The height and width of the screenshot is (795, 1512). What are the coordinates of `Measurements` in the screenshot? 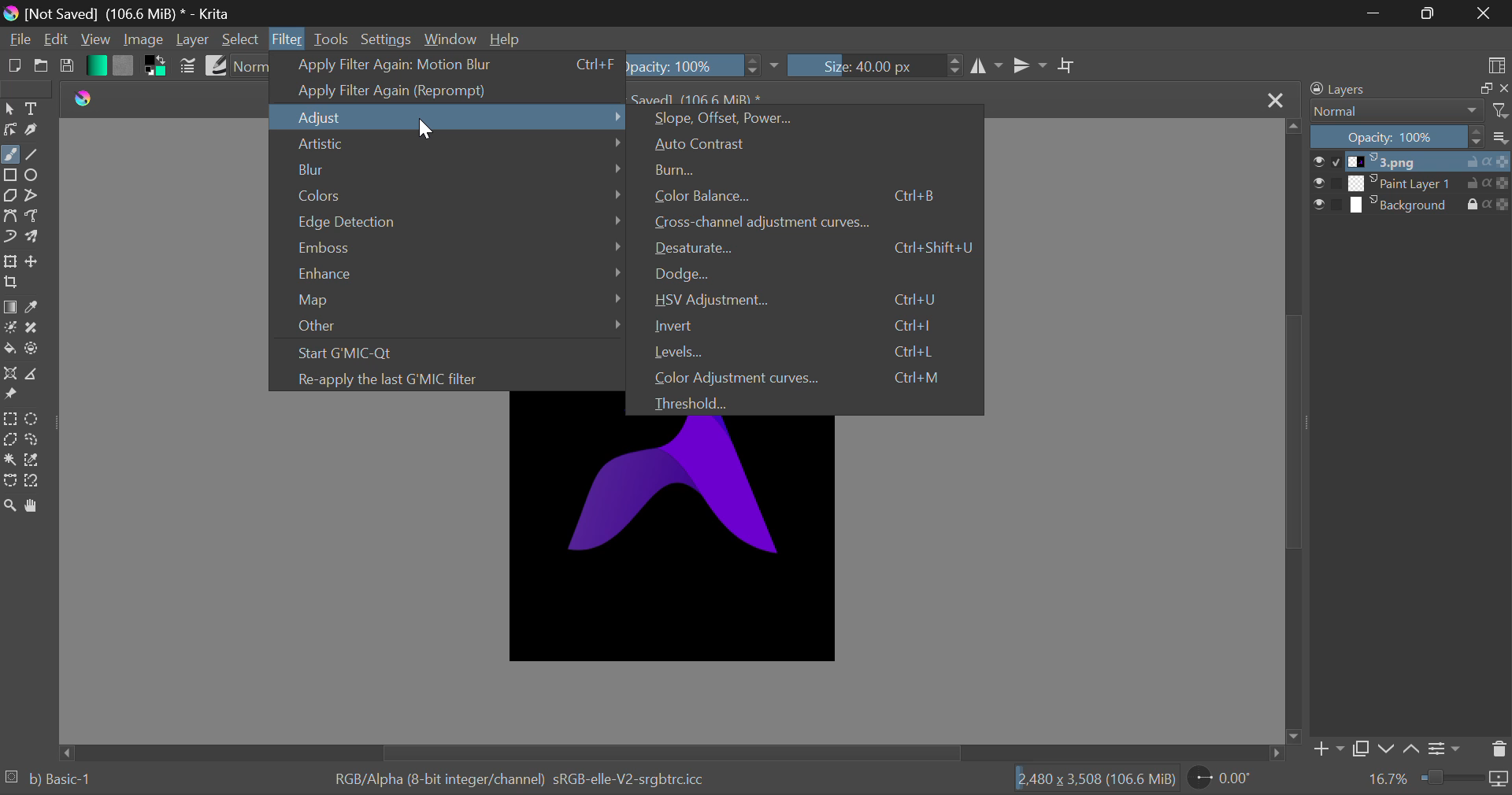 It's located at (32, 374).